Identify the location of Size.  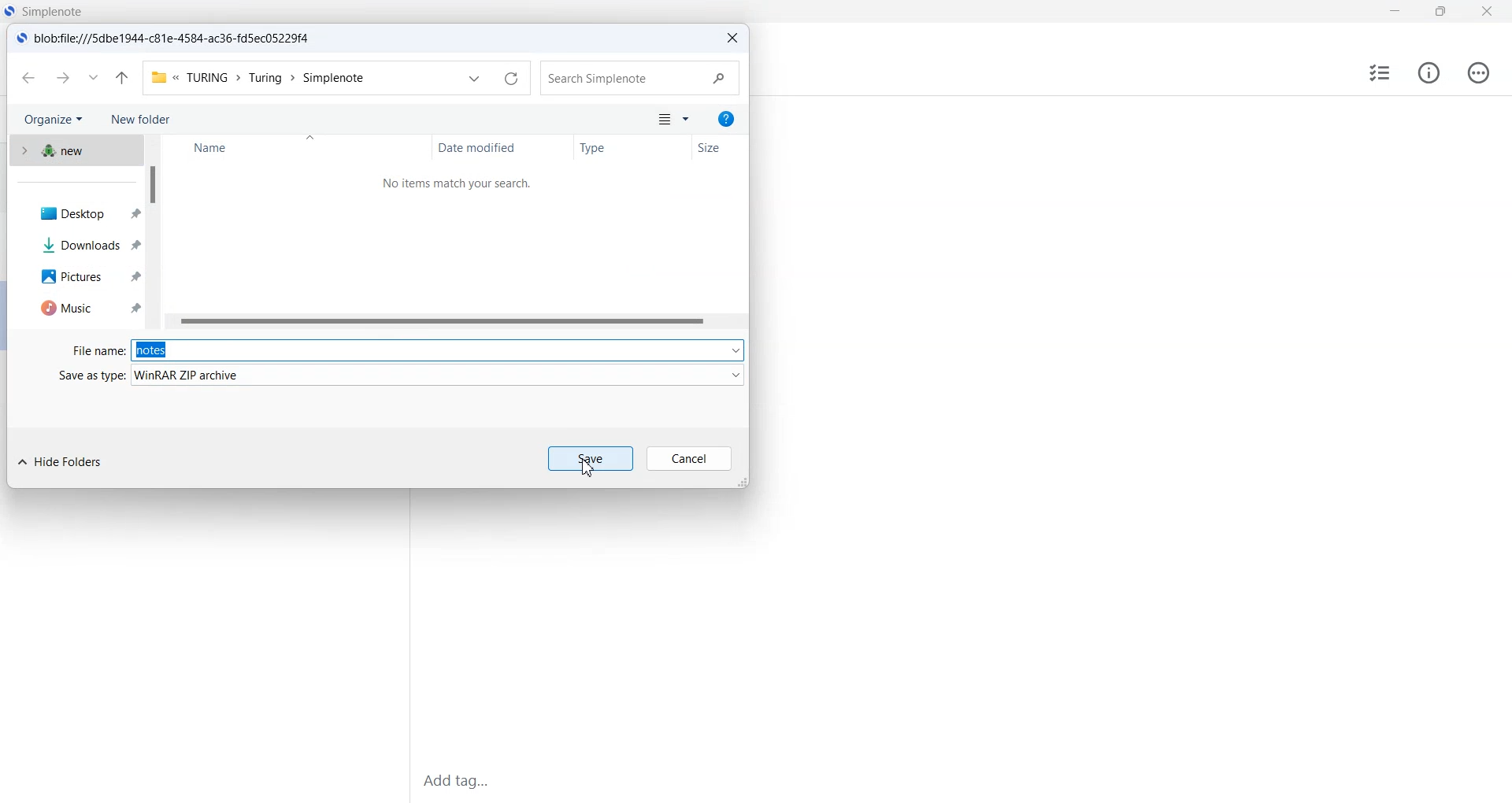
(719, 148).